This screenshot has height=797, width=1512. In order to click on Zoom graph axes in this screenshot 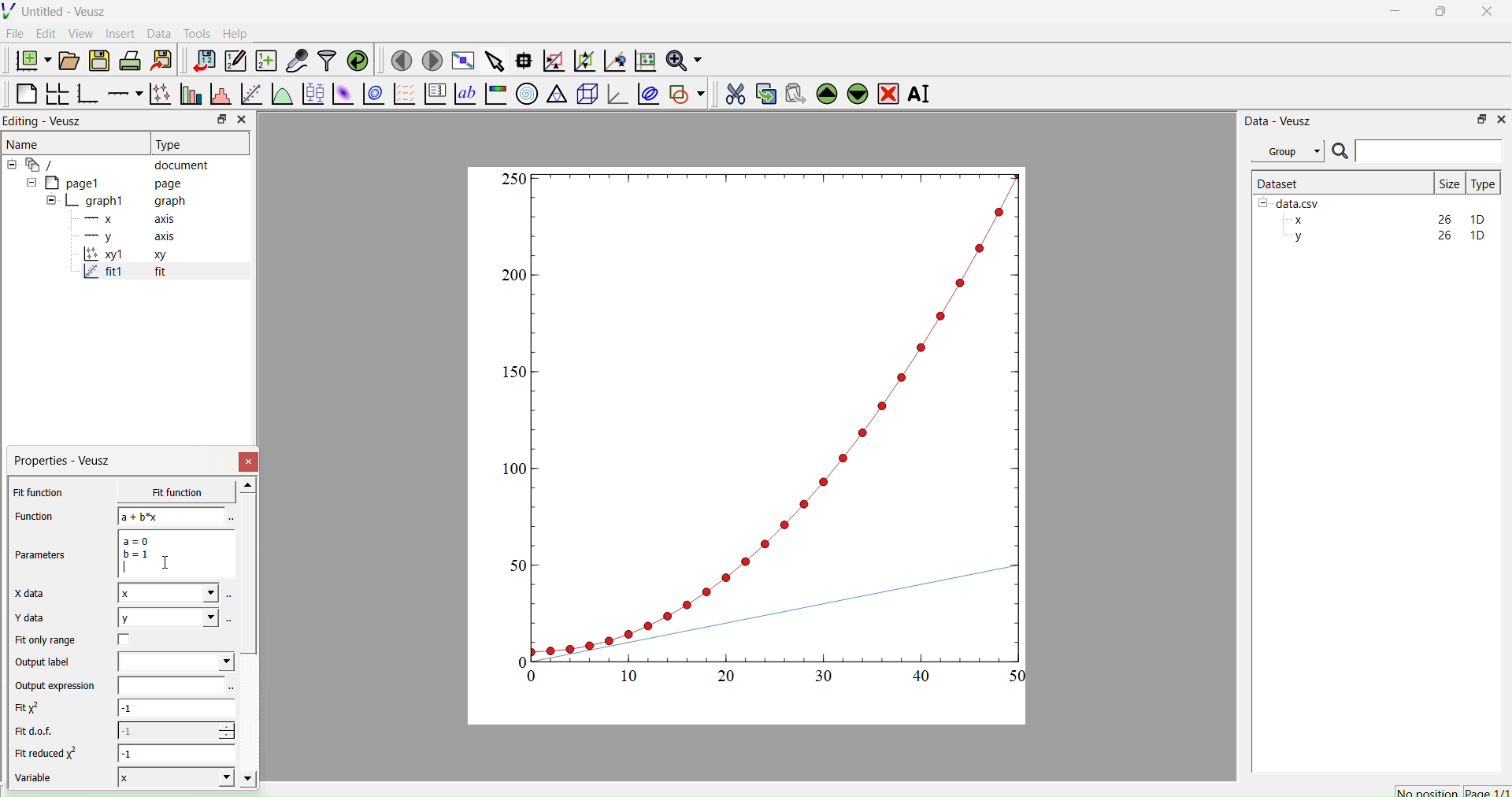, I will do `click(553, 61)`.